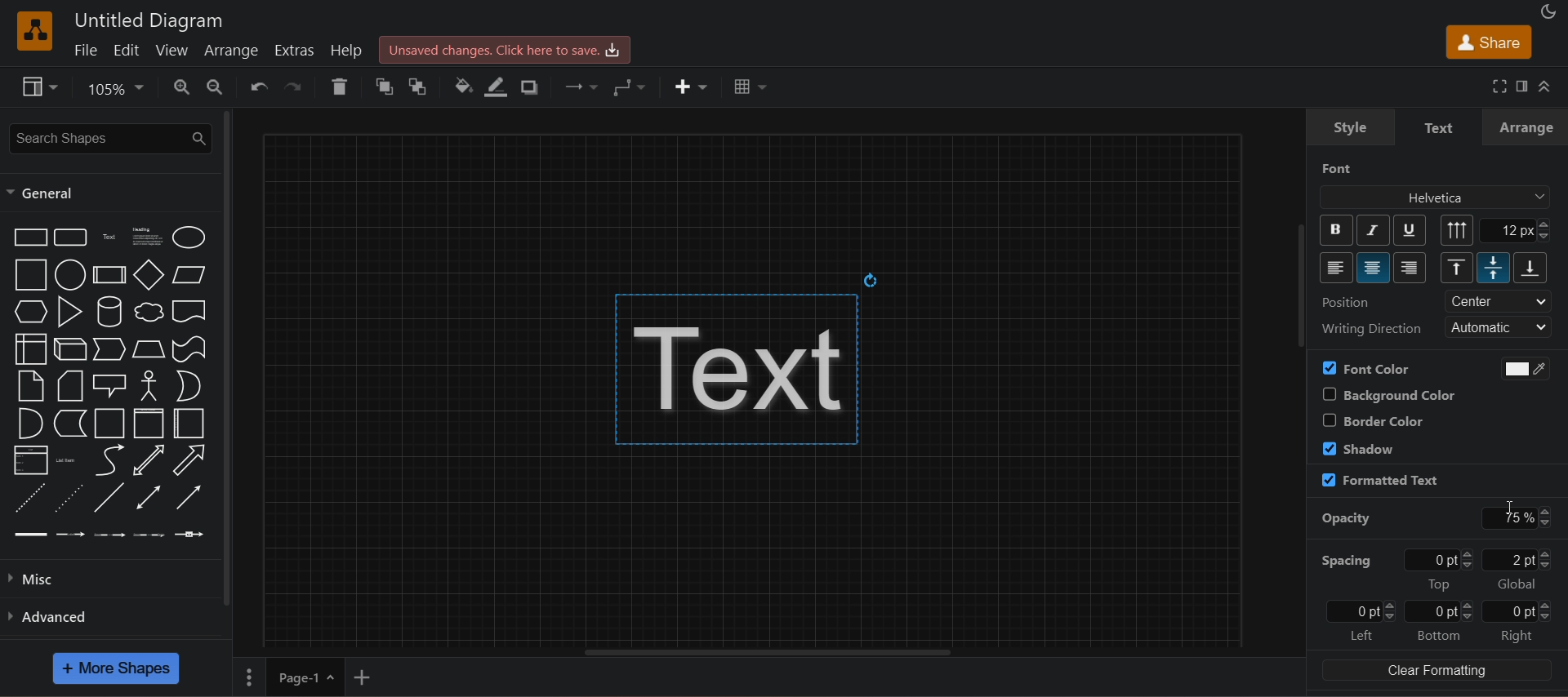 Image resolution: width=1568 pixels, height=697 pixels. I want to click on font family, so click(1437, 198).